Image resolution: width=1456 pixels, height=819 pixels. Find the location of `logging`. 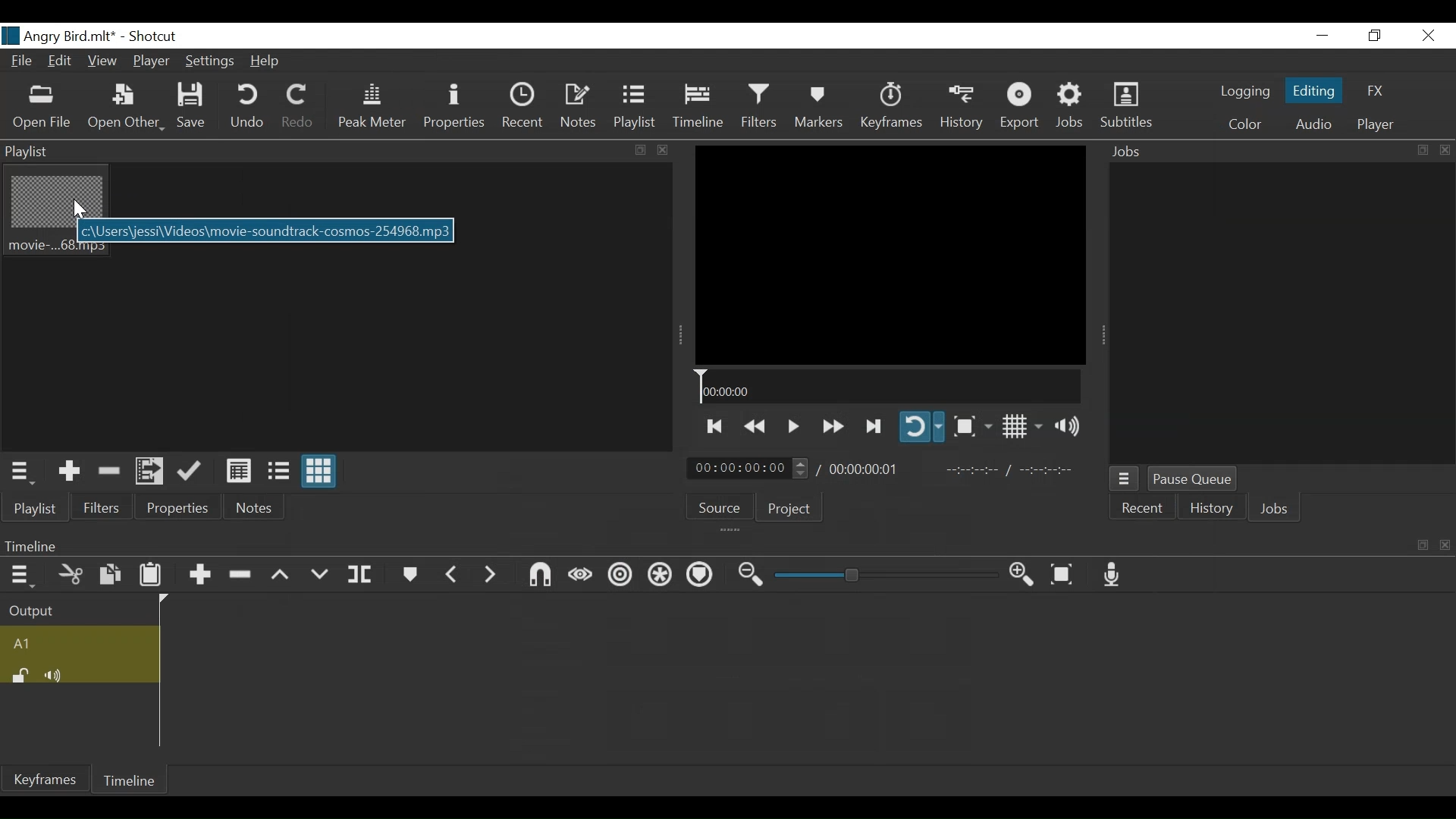

logging is located at coordinates (1243, 93).